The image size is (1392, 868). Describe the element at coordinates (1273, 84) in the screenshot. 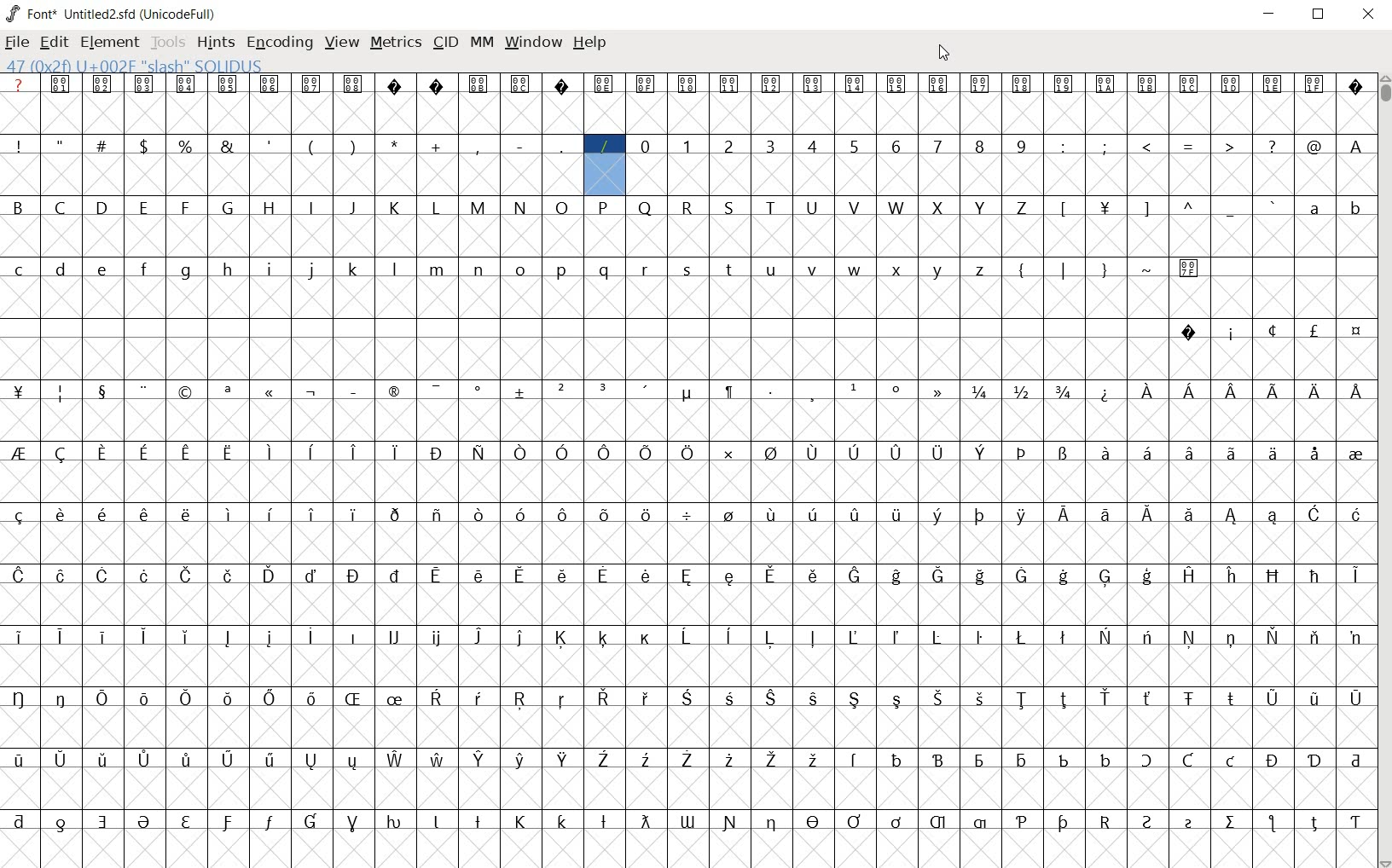

I see `glyph` at that location.